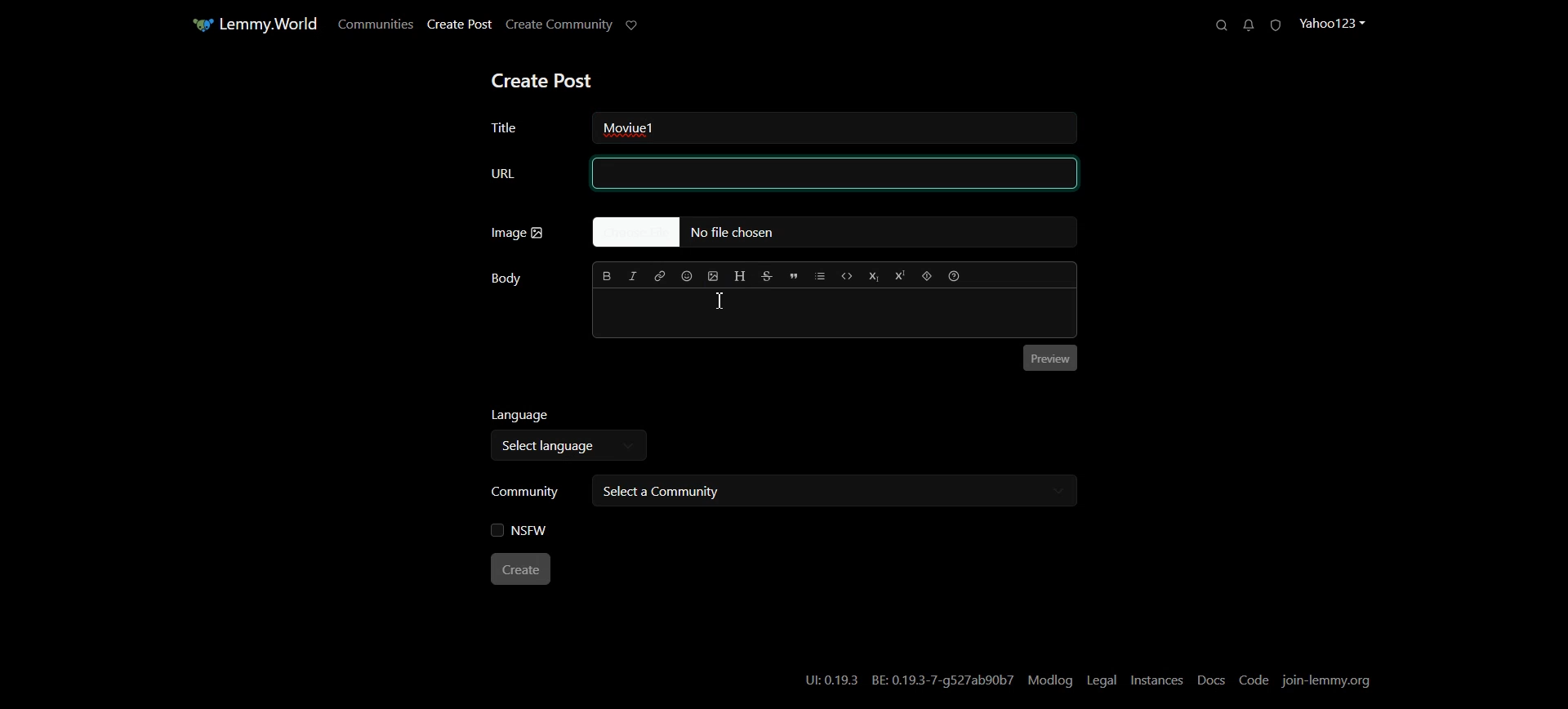 This screenshot has height=709, width=1568. I want to click on Legal, so click(1101, 680).